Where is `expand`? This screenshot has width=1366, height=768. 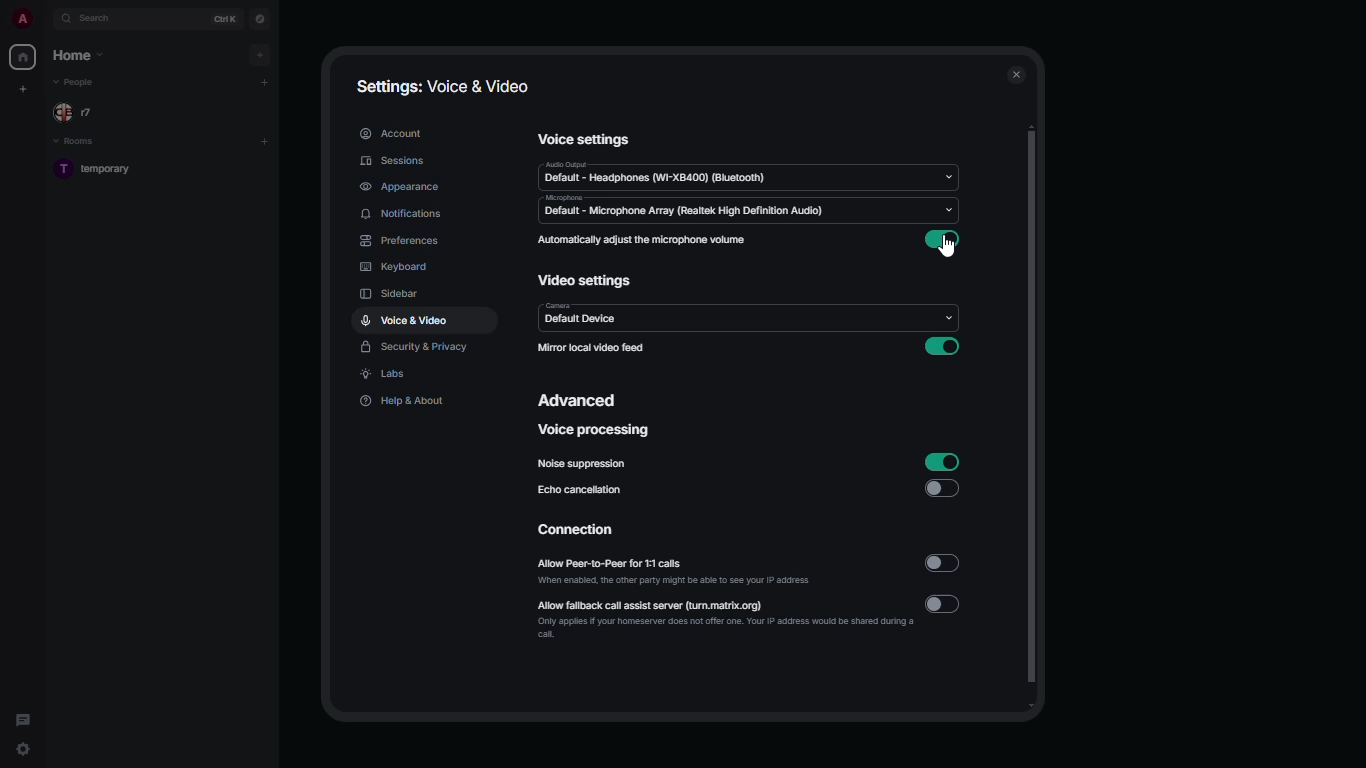
expand is located at coordinates (46, 18).